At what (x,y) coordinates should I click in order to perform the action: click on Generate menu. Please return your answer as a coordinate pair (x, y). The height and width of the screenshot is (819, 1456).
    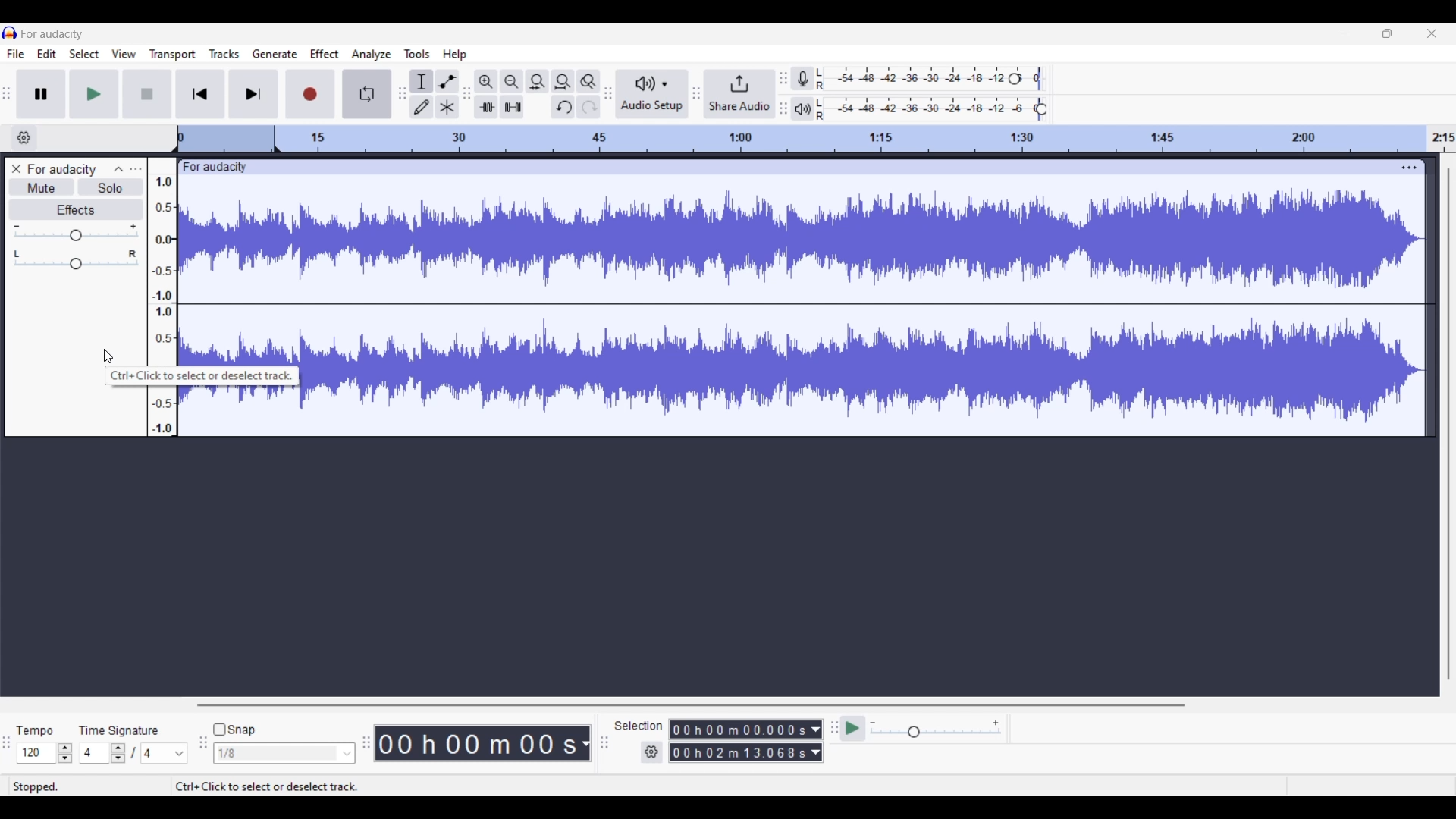
    Looking at the image, I should click on (275, 55).